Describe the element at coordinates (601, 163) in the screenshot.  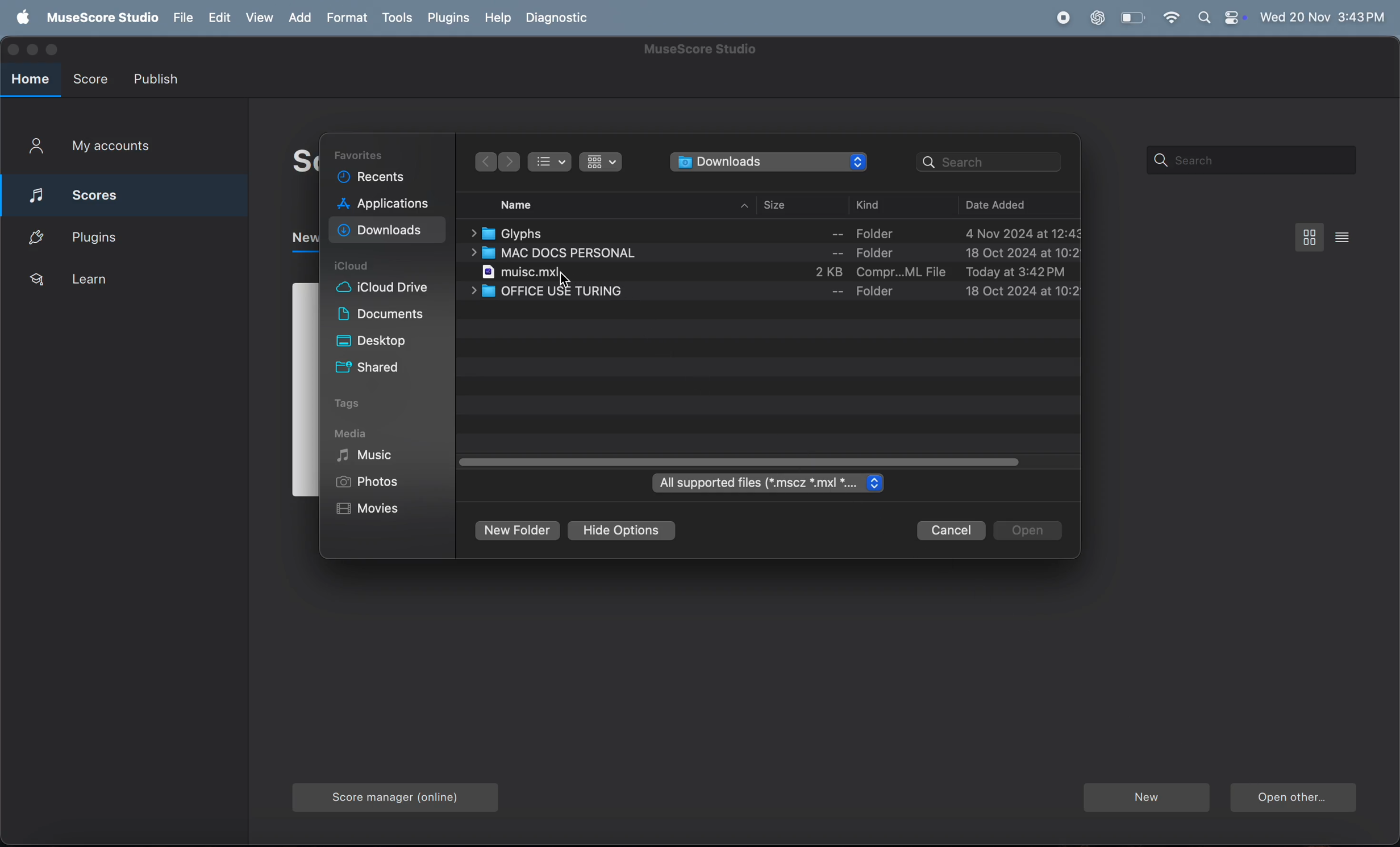
I see `show items as icons` at that location.